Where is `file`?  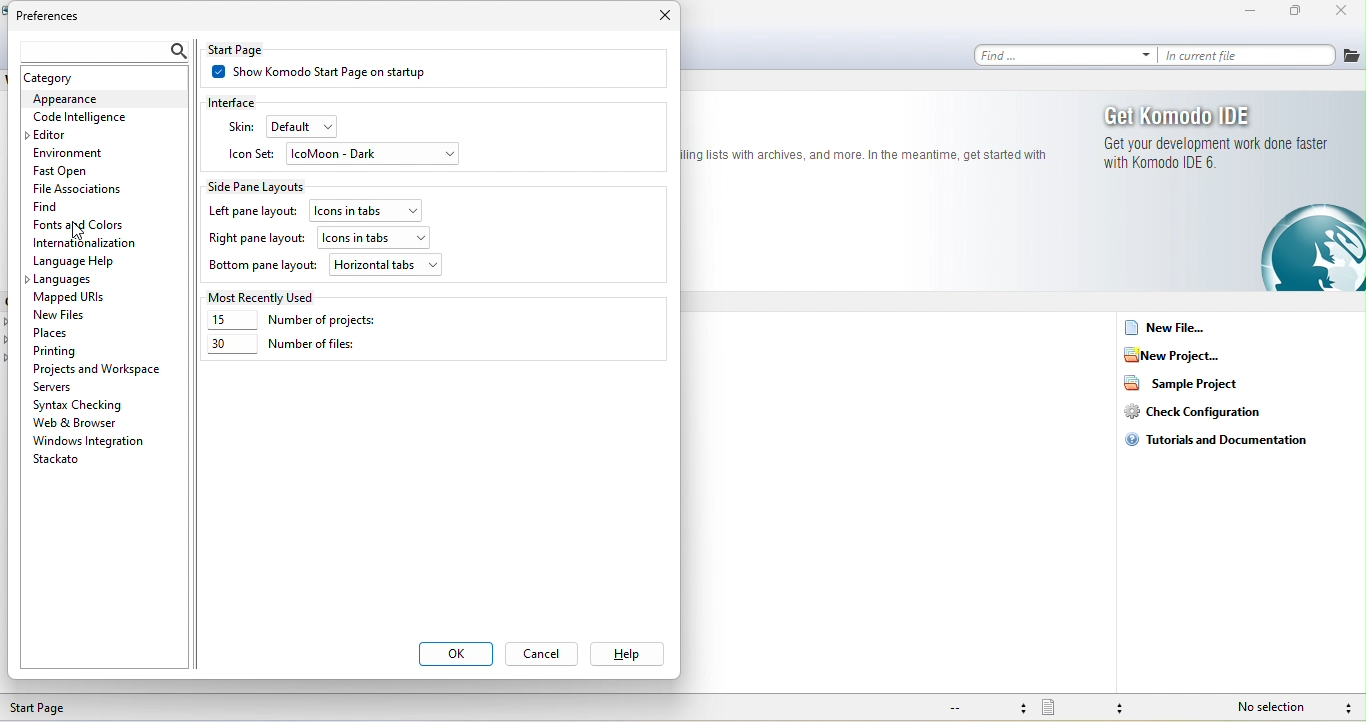 file is located at coordinates (1352, 55).